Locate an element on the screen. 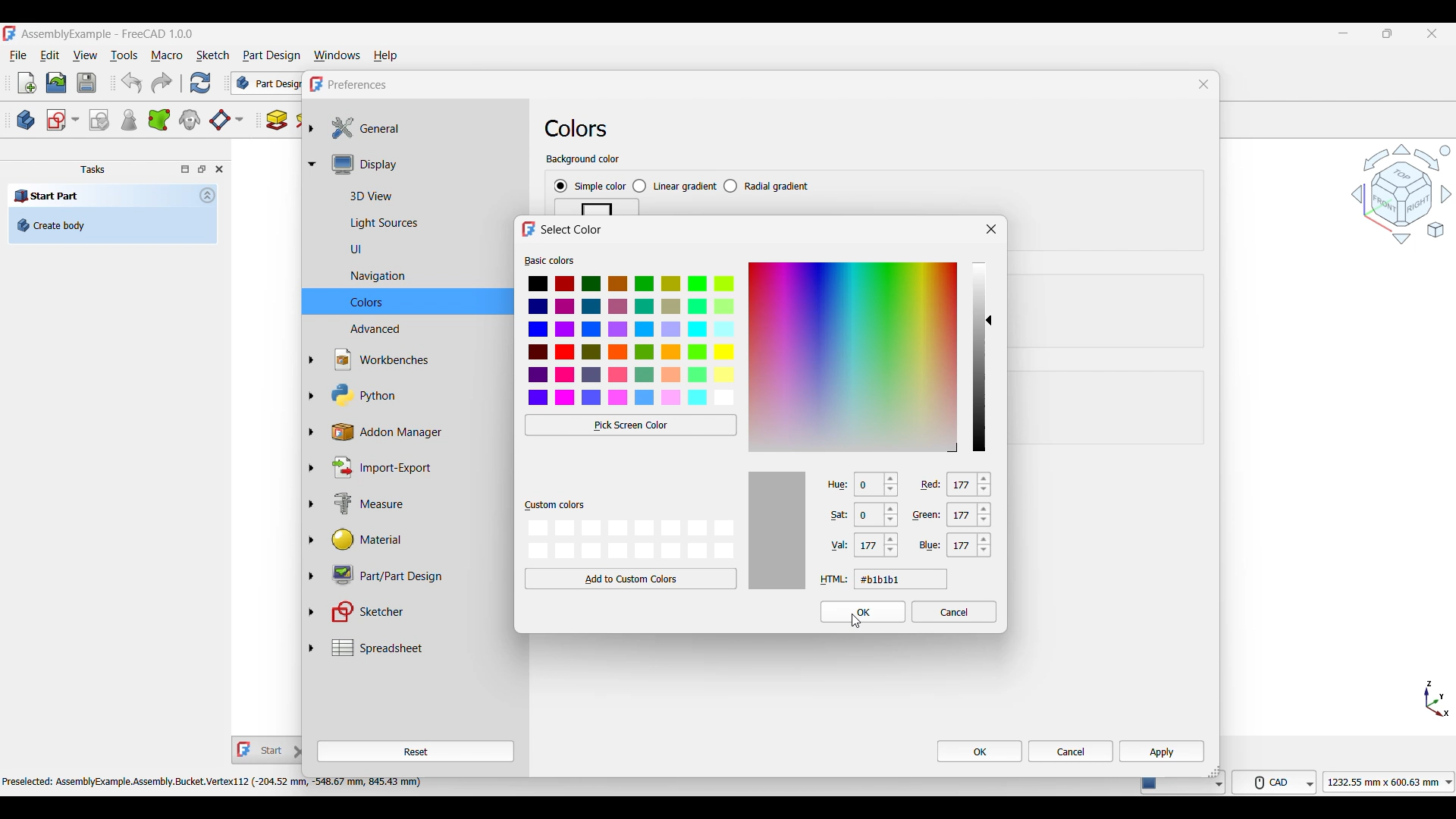 Image resolution: width=1456 pixels, height=819 pixels. Tools menu is located at coordinates (124, 55).